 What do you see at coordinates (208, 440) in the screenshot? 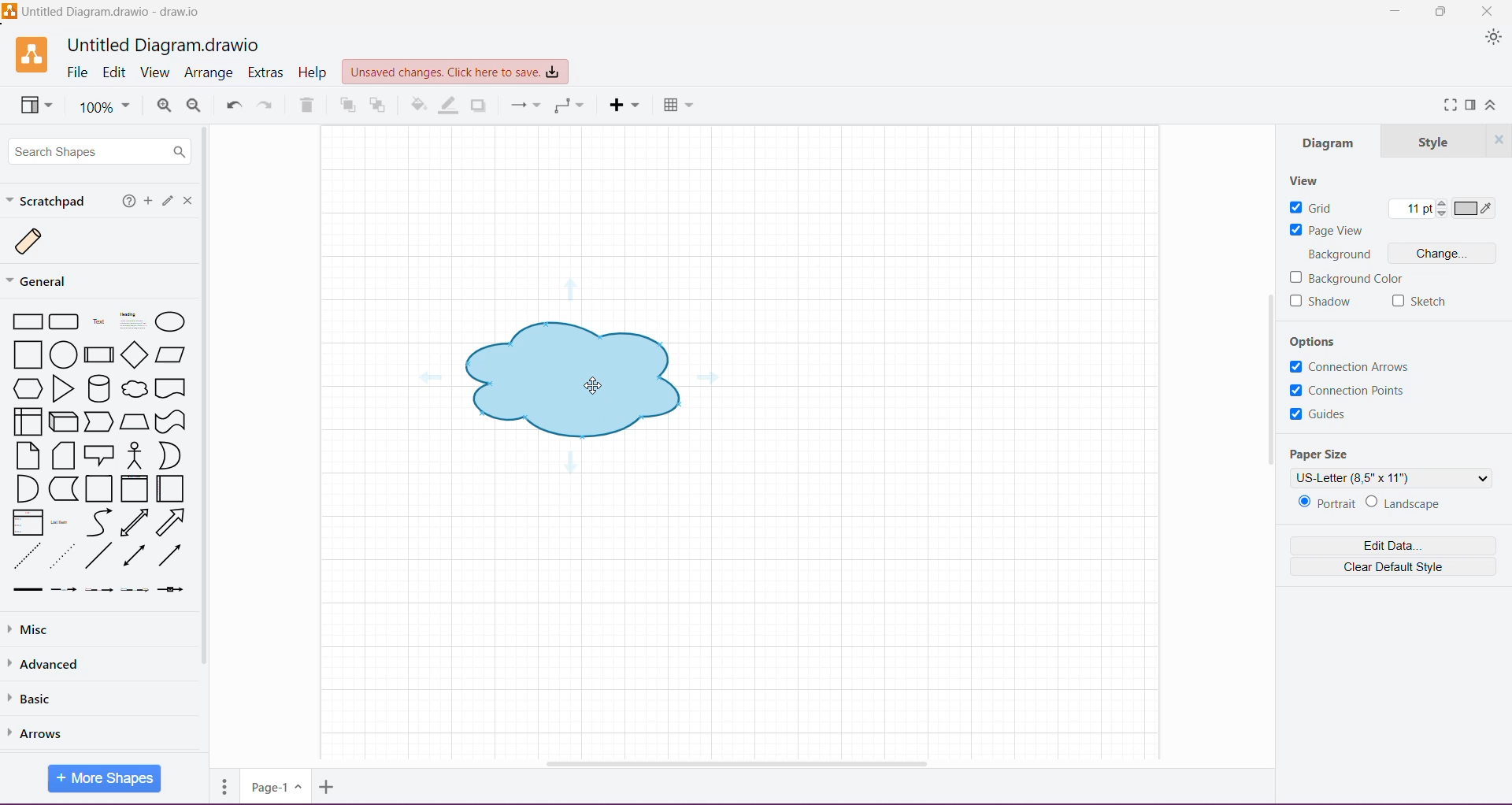
I see `Vertical Scroll Bar` at bounding box center [208, 440].